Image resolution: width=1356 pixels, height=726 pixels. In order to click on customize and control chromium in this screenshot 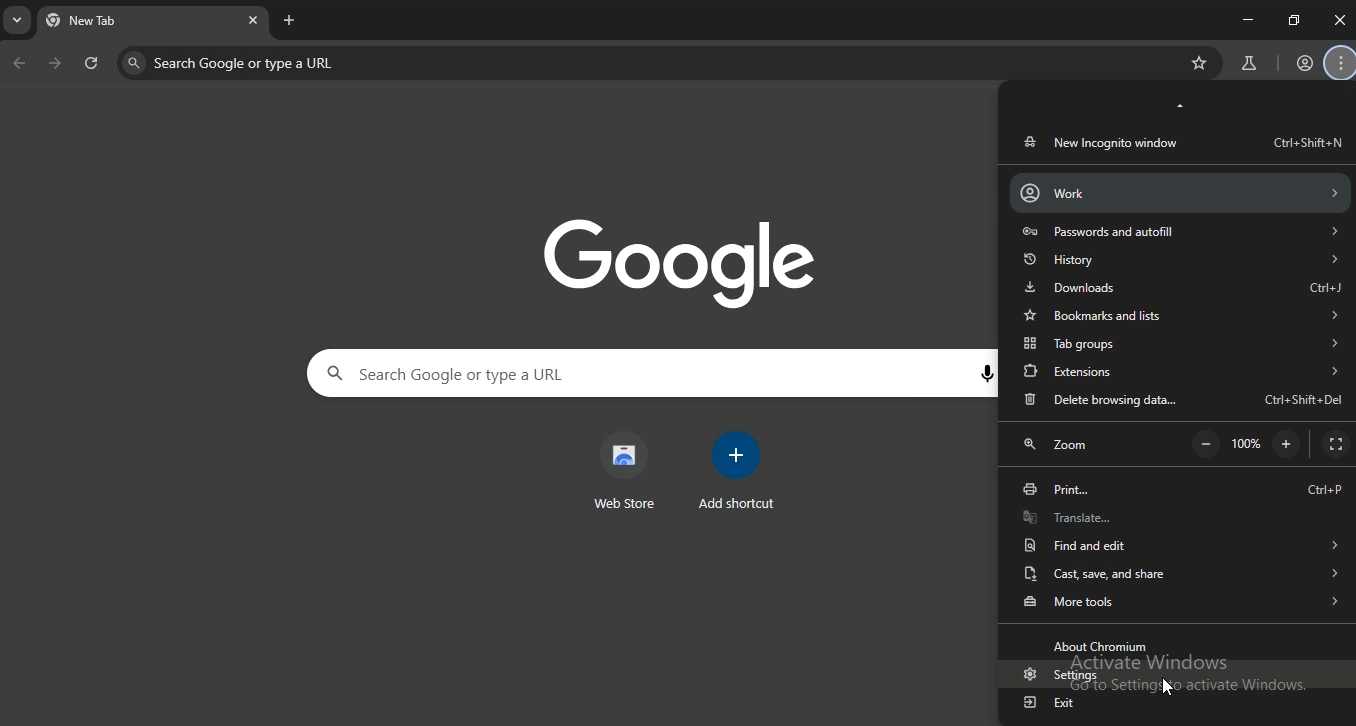, I will do `click(1342, 64)`.